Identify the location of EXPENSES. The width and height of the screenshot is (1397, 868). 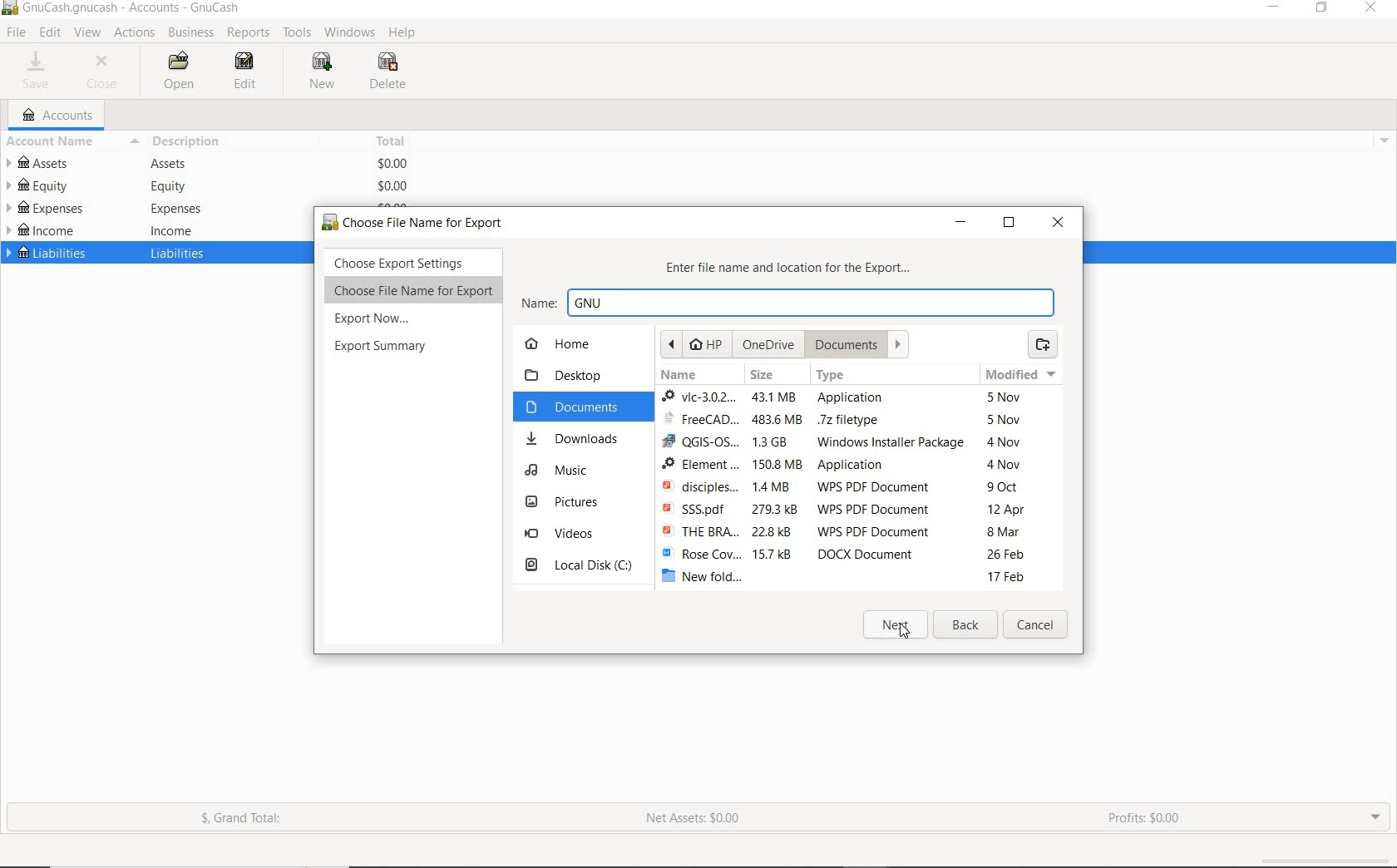
(45, 207).